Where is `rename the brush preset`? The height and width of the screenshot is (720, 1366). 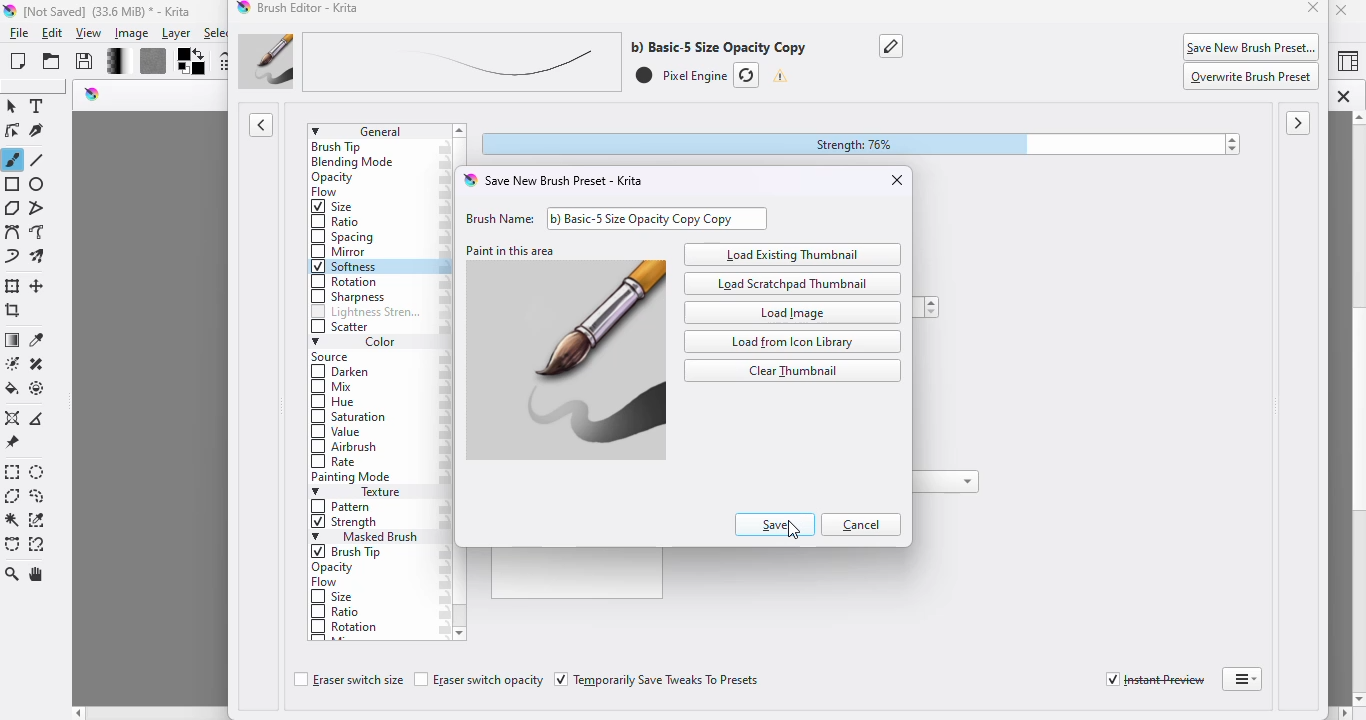
rename the brush preset is located at coordinates (892, 45).